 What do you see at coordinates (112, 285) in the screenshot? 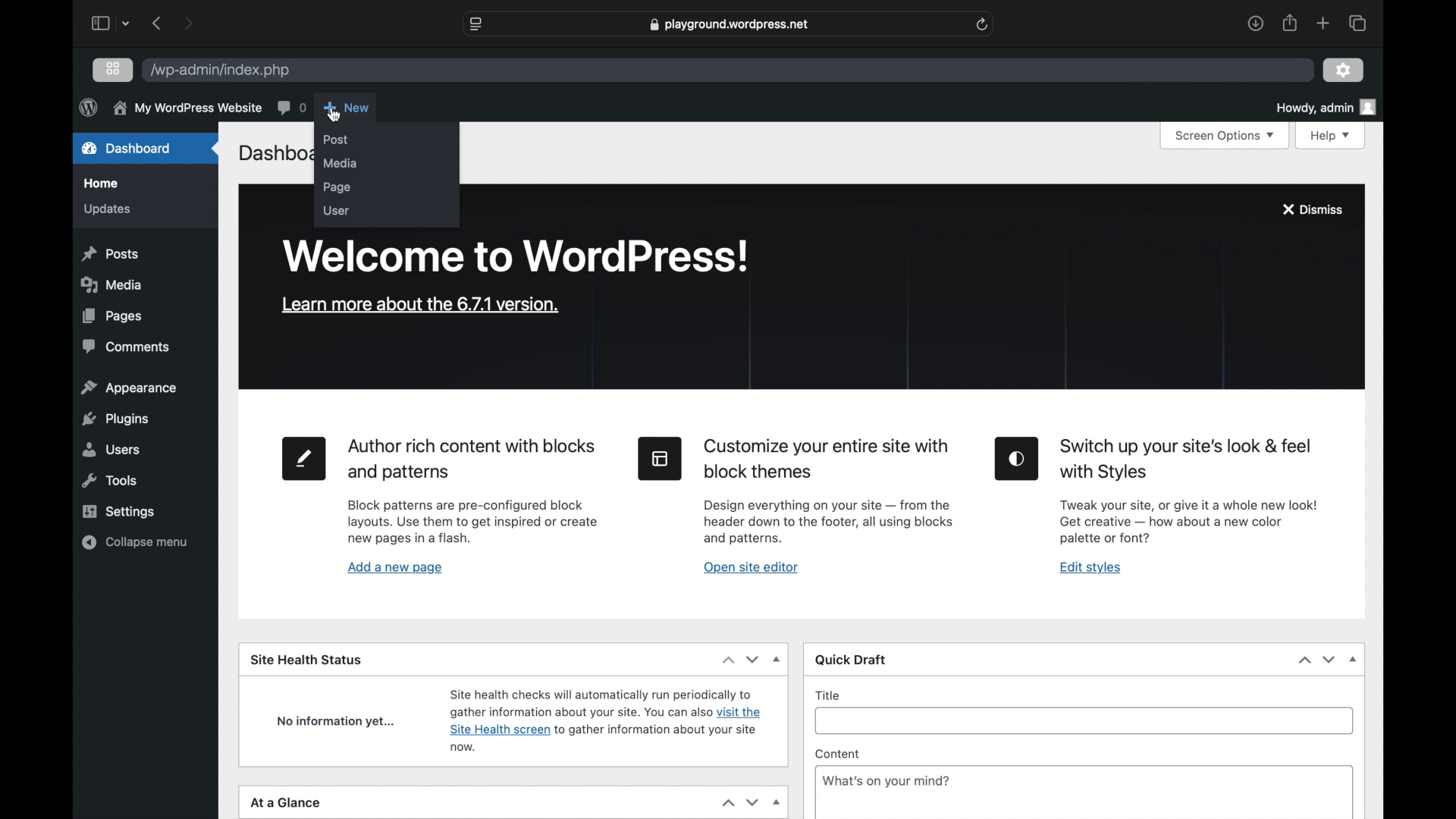
I see `media` at bounding box center [112, 285].